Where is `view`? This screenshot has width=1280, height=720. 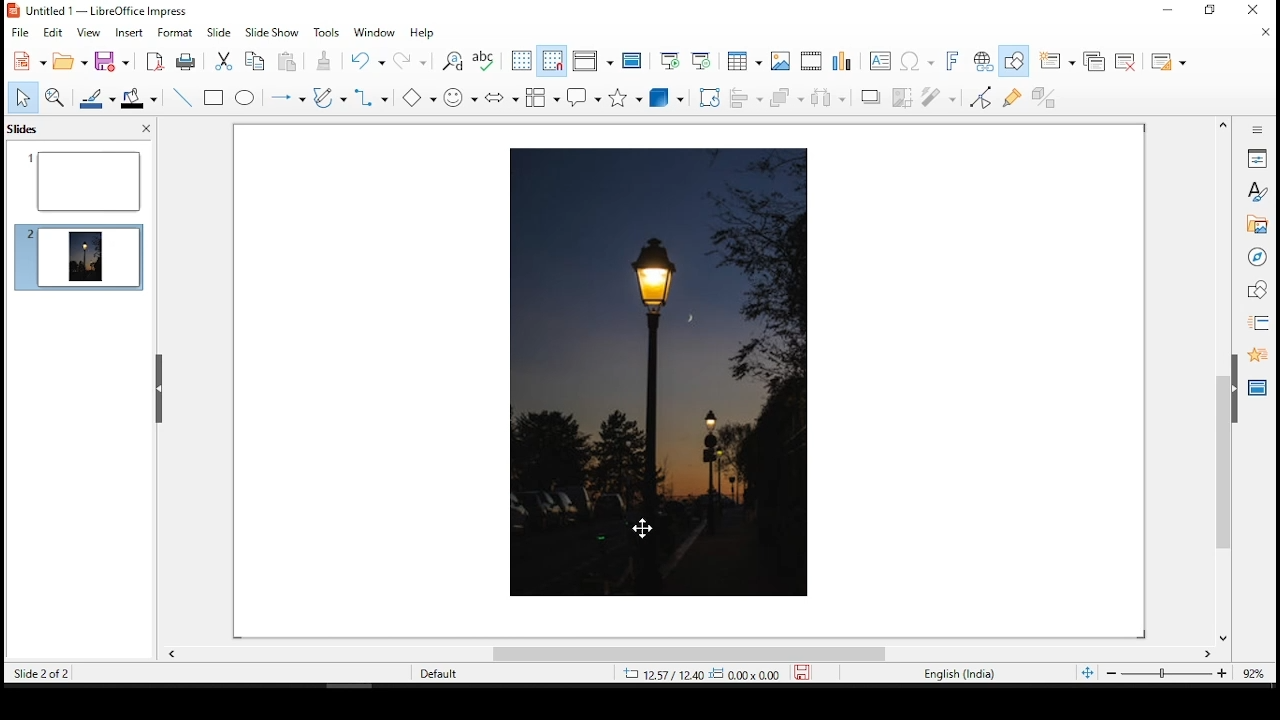 view is located at coordinates (89, 33).